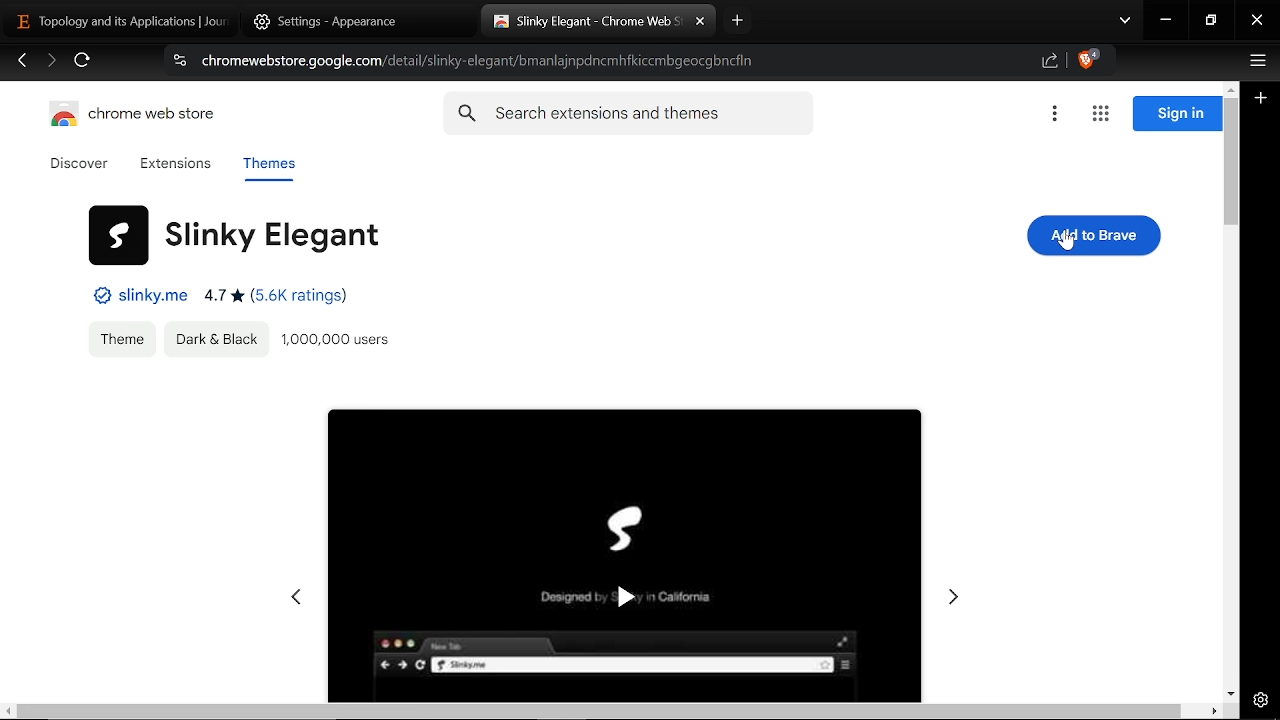  Describe the element at coordinates (178, 63) in the screenshot. I see `Cite information` at that location.